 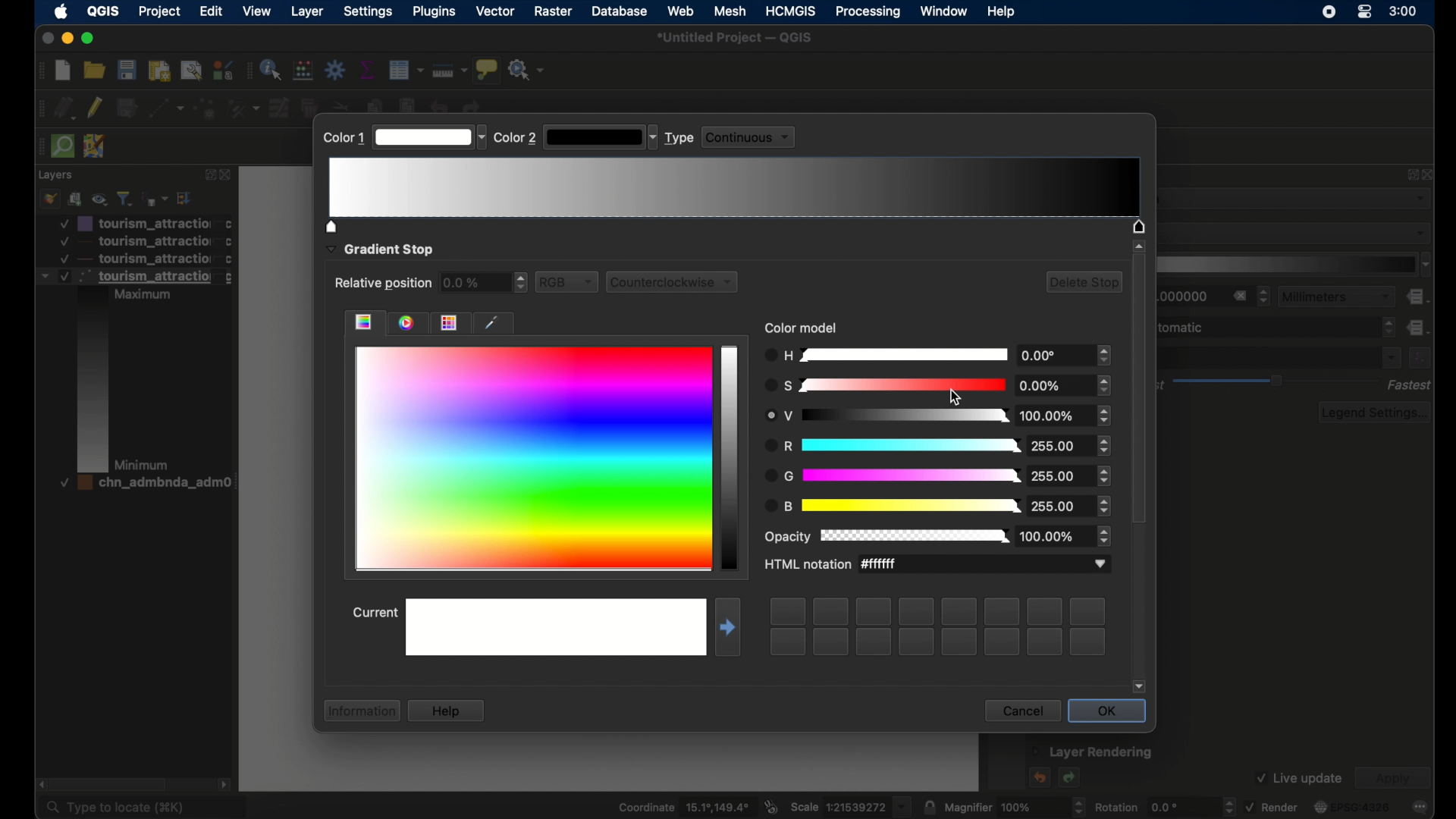 What do you see at coordinates (1015, 806) in the screenshot?
I see `magnifier` at bounding box center [1015, 806].